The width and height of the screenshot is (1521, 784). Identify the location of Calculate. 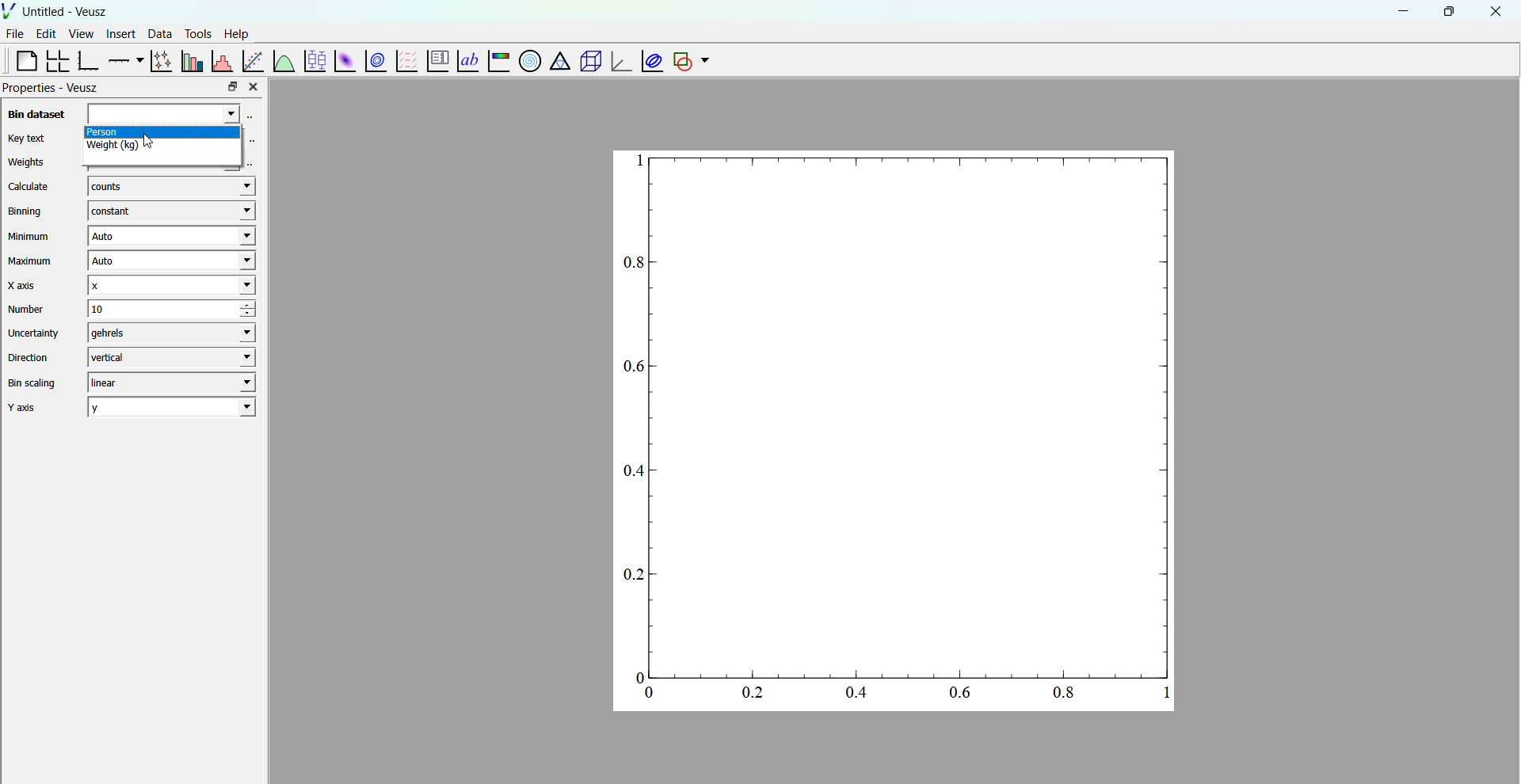
(29, 188).